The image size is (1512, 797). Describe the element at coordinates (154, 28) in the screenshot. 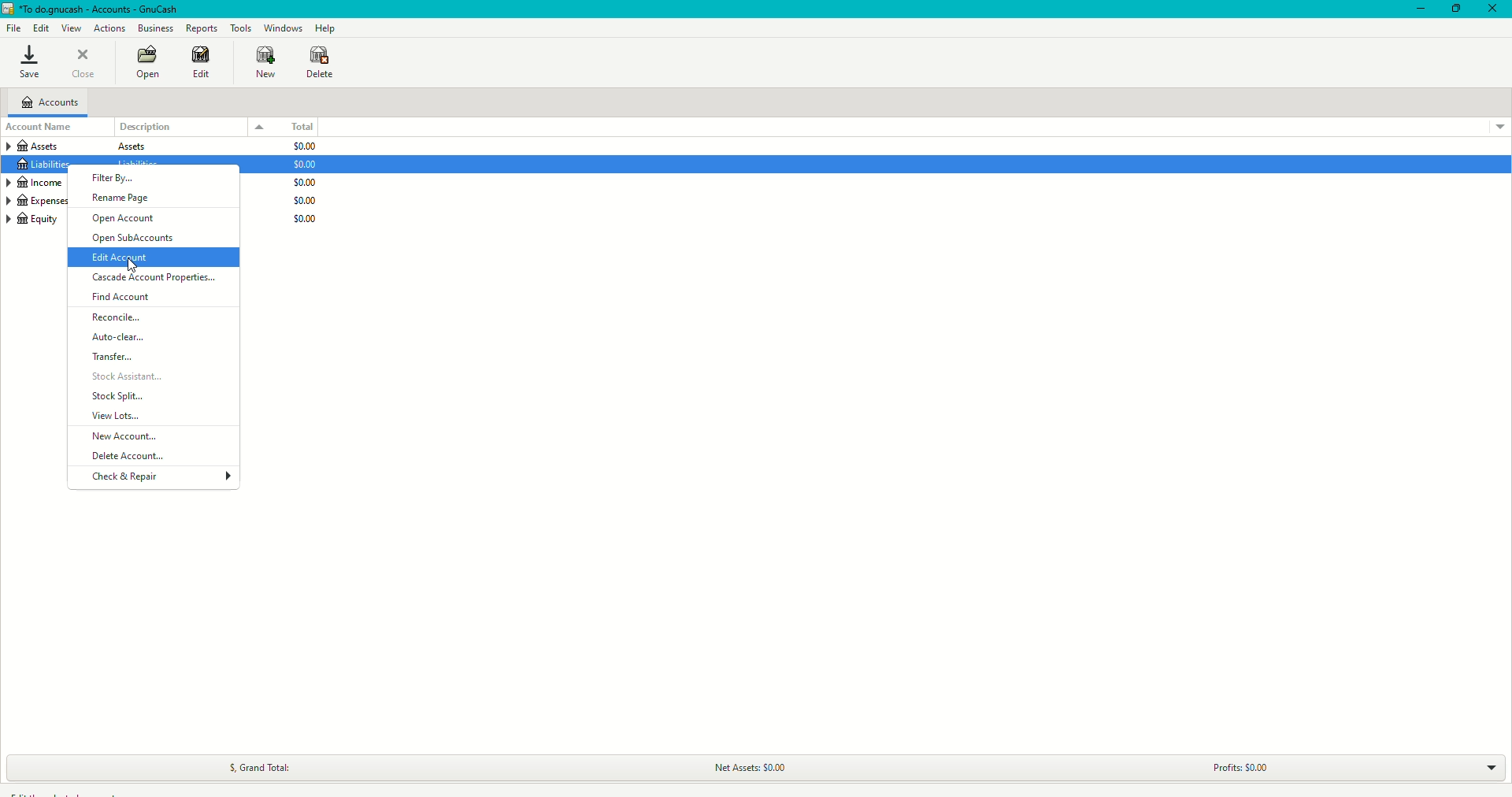

I see `Business` at that location.